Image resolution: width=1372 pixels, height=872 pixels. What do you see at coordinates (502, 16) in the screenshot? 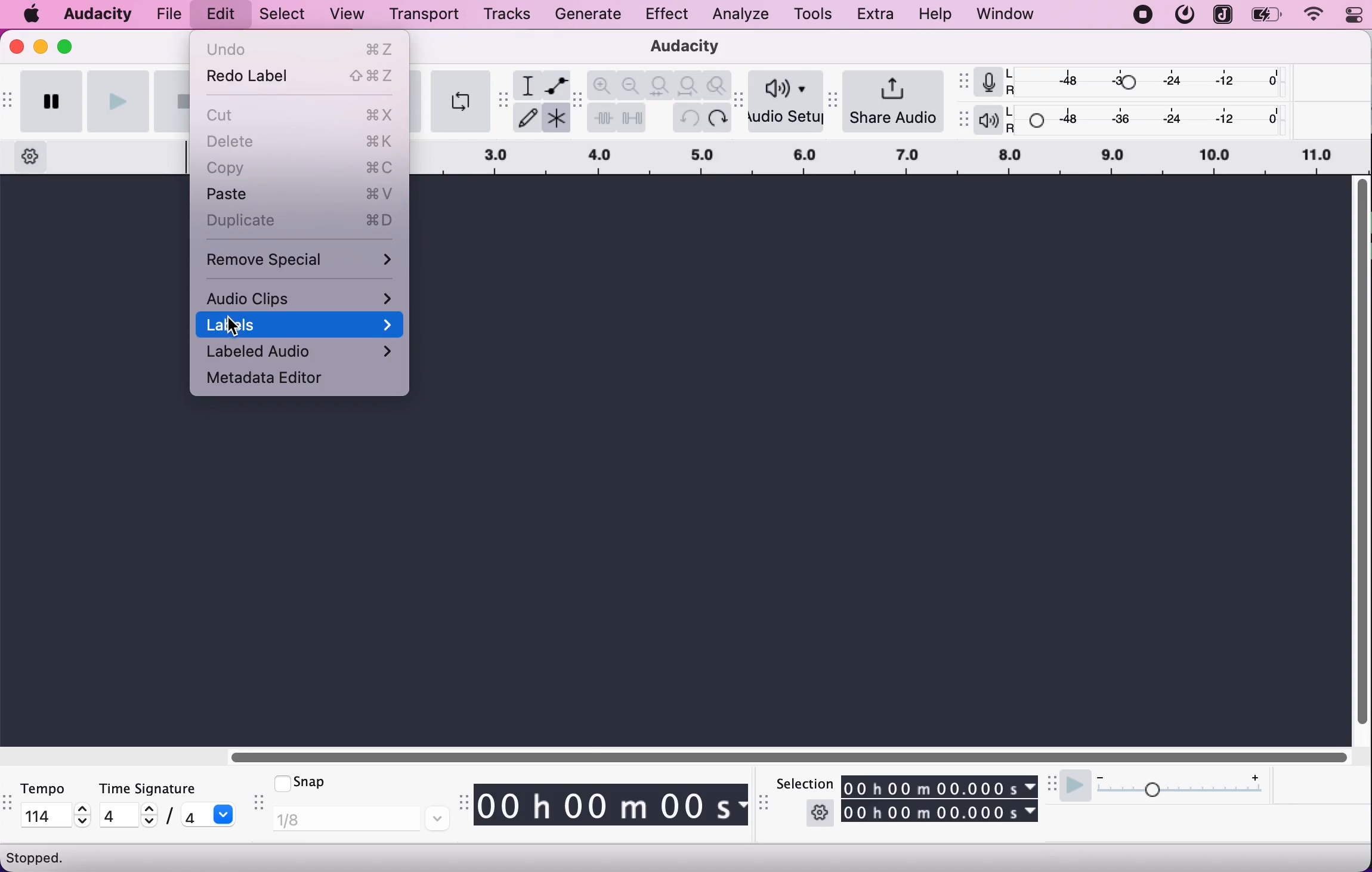
I see `tracks` at bounding box center [502, 16].